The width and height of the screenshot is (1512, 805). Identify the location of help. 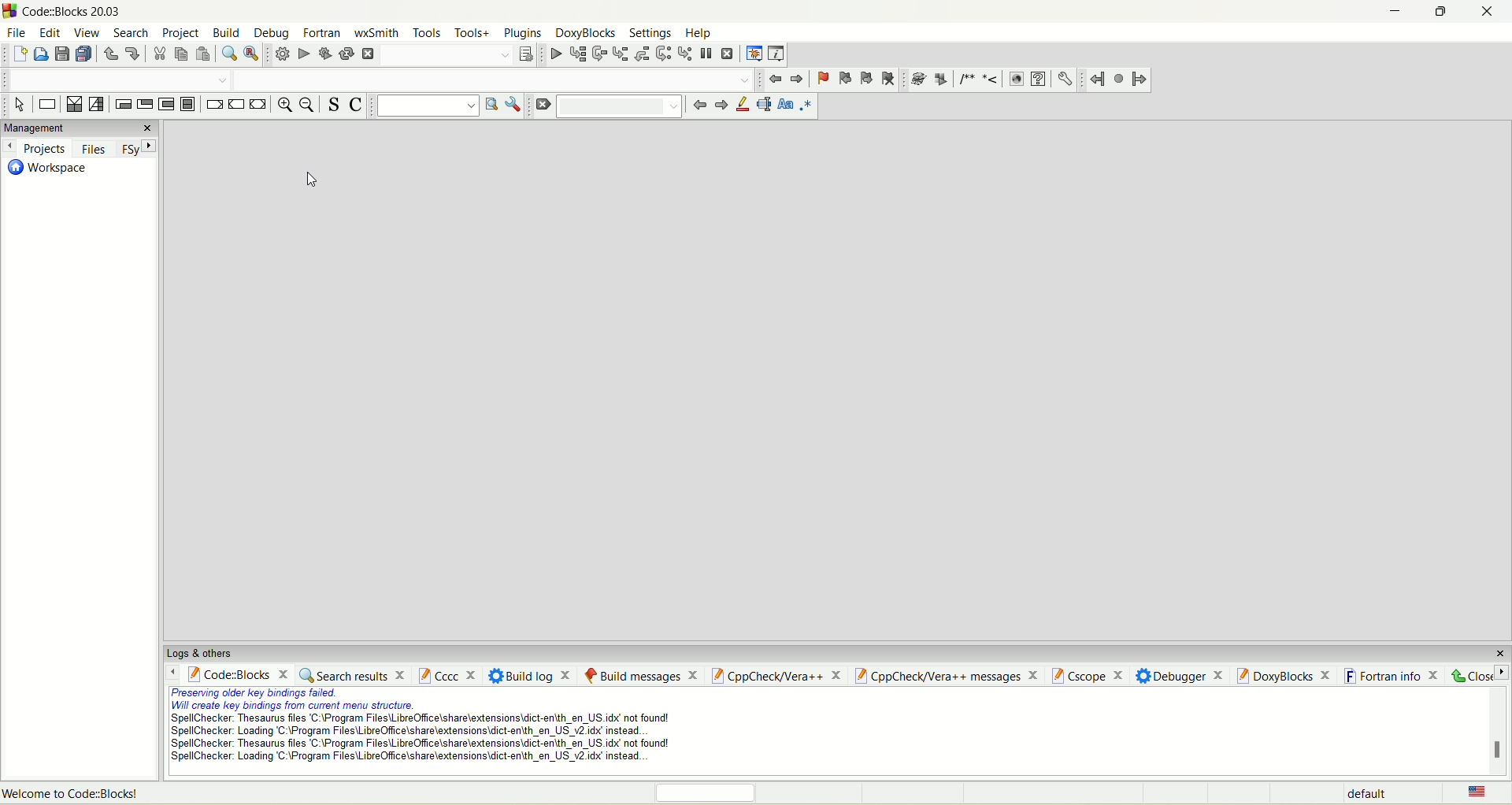
(1039, 80).